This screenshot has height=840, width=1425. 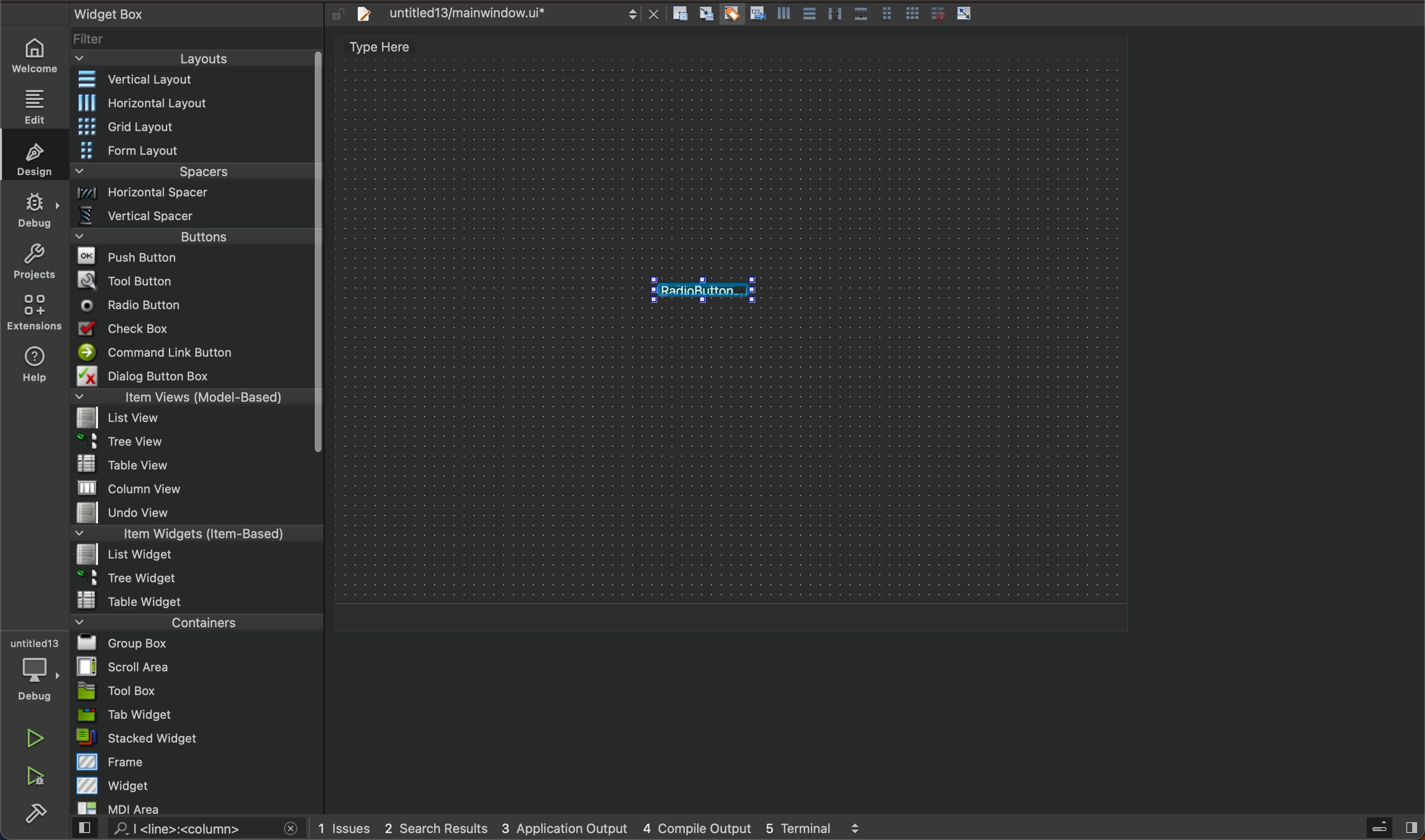 What do you see at coordinates (860, 15) in the screenshot?
I see `` at bounding box center [860, 15].